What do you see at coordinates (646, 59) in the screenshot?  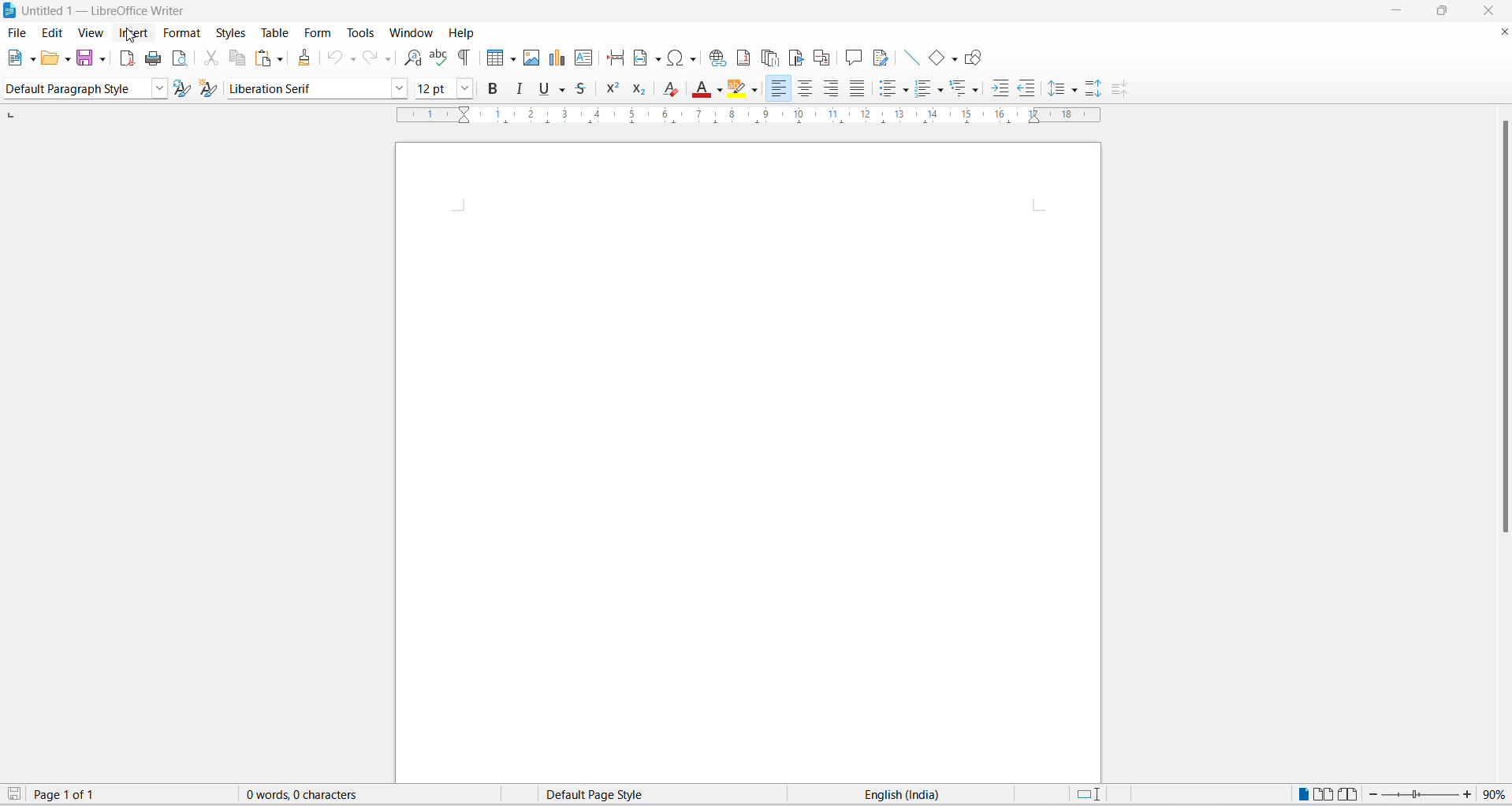 I see `insert field` at bounding box center [646, 59].